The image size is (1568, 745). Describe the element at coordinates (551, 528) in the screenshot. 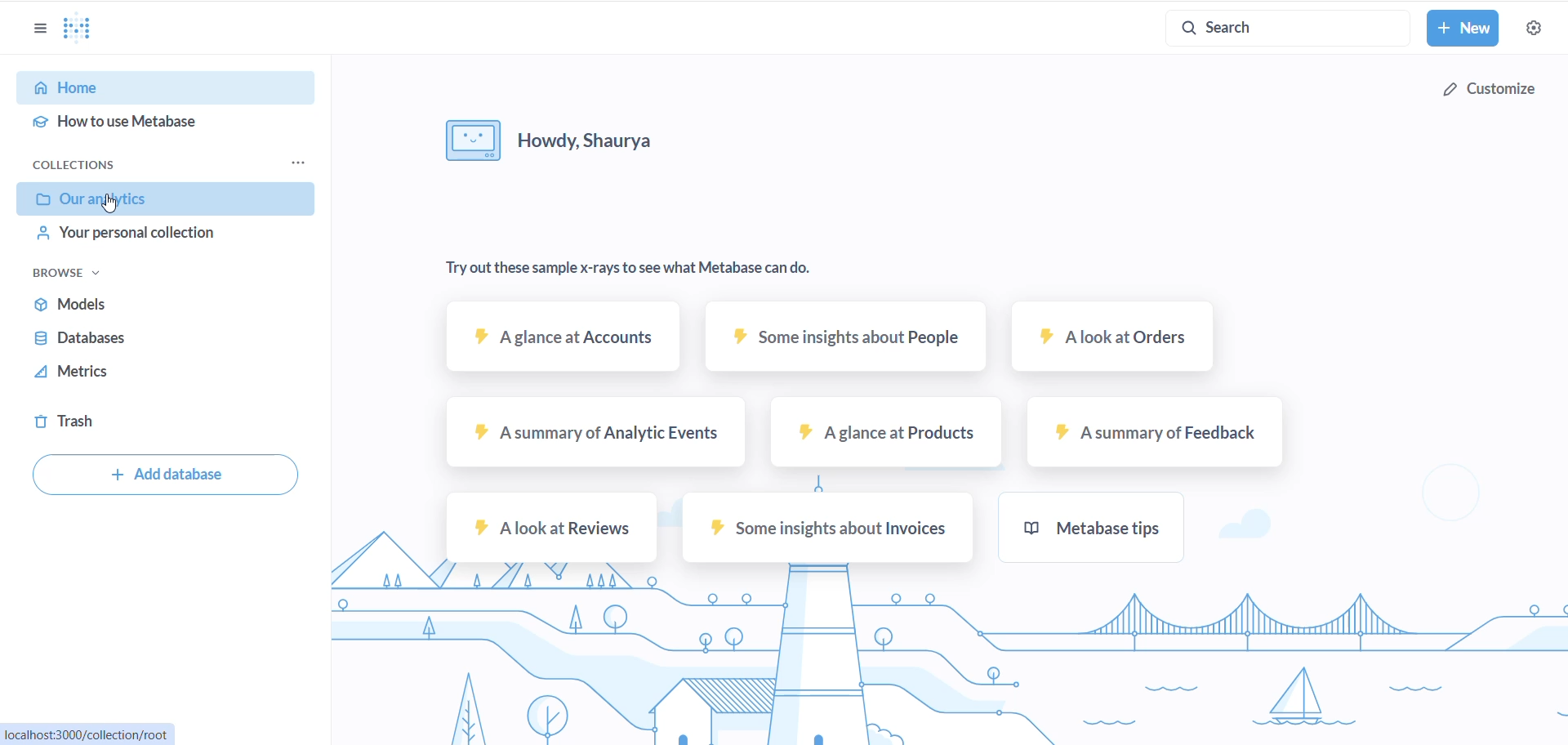

I see `A look at reviews` at that location.